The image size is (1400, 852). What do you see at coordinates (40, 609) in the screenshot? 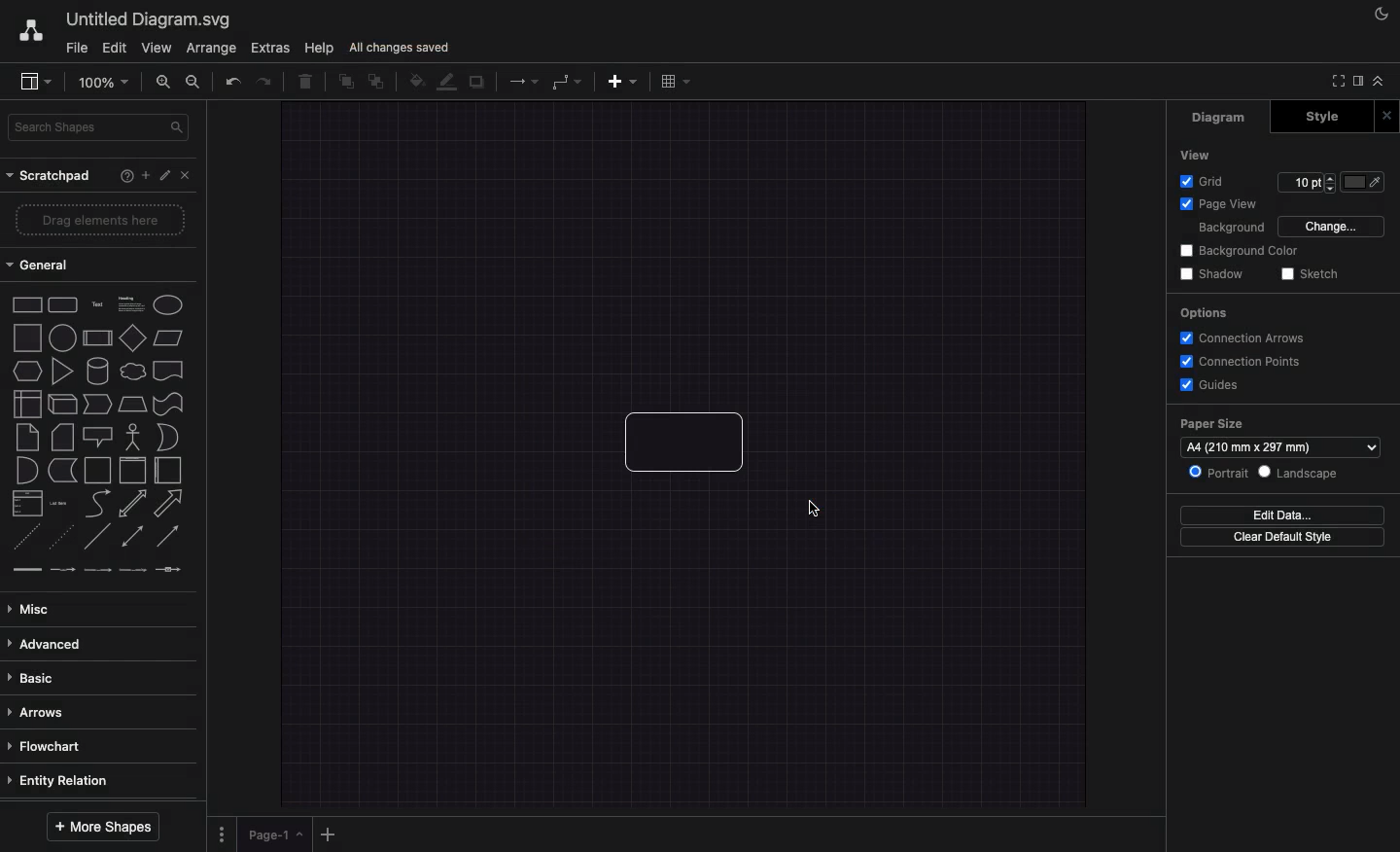
I see `Misc` at bounding box center [40, 609].